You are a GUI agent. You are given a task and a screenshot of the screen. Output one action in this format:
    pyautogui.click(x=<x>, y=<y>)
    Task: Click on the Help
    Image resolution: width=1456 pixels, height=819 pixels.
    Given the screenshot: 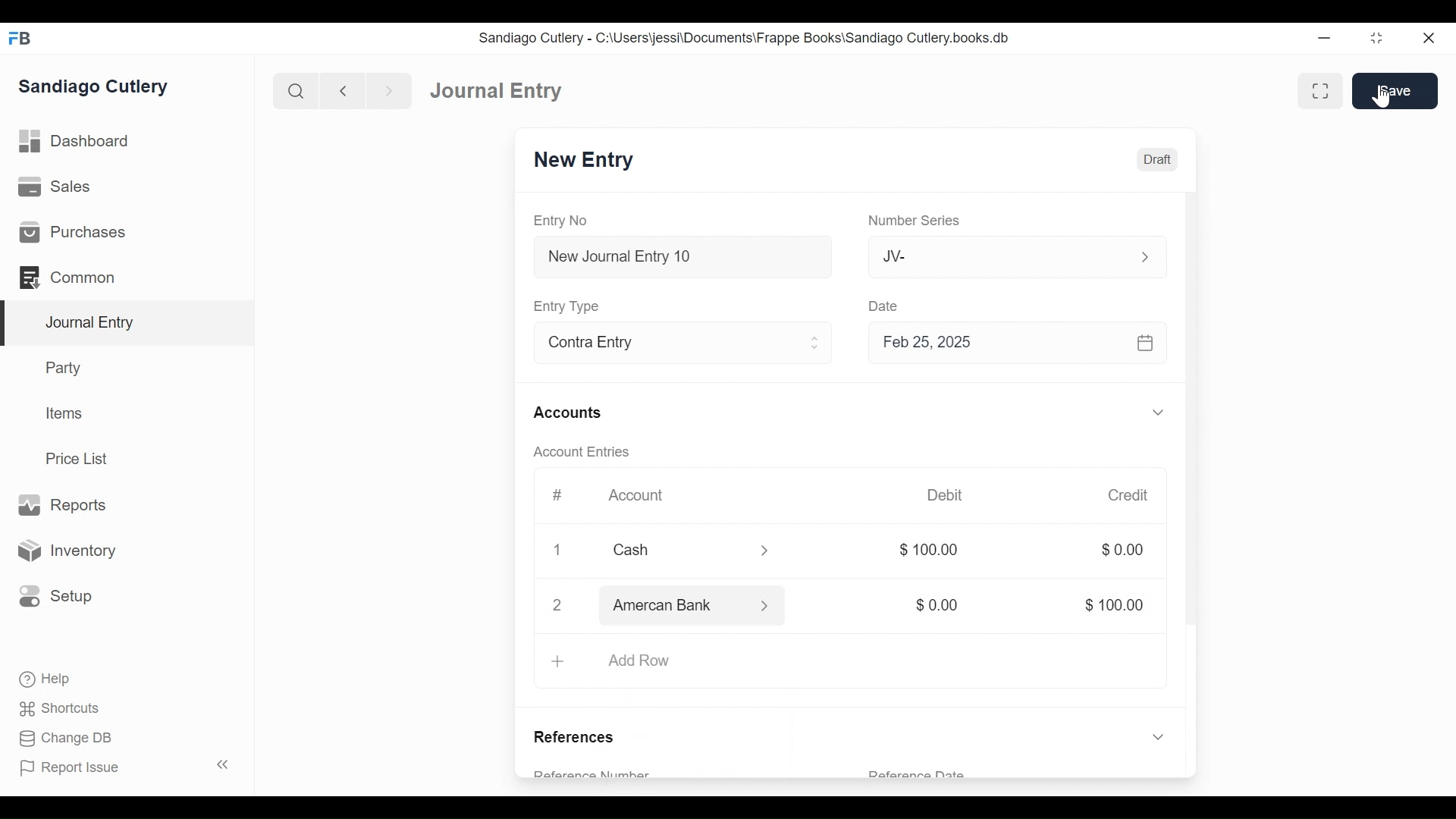 What is the action you would take?
    pyautogui.click(x=42, y=677)
    